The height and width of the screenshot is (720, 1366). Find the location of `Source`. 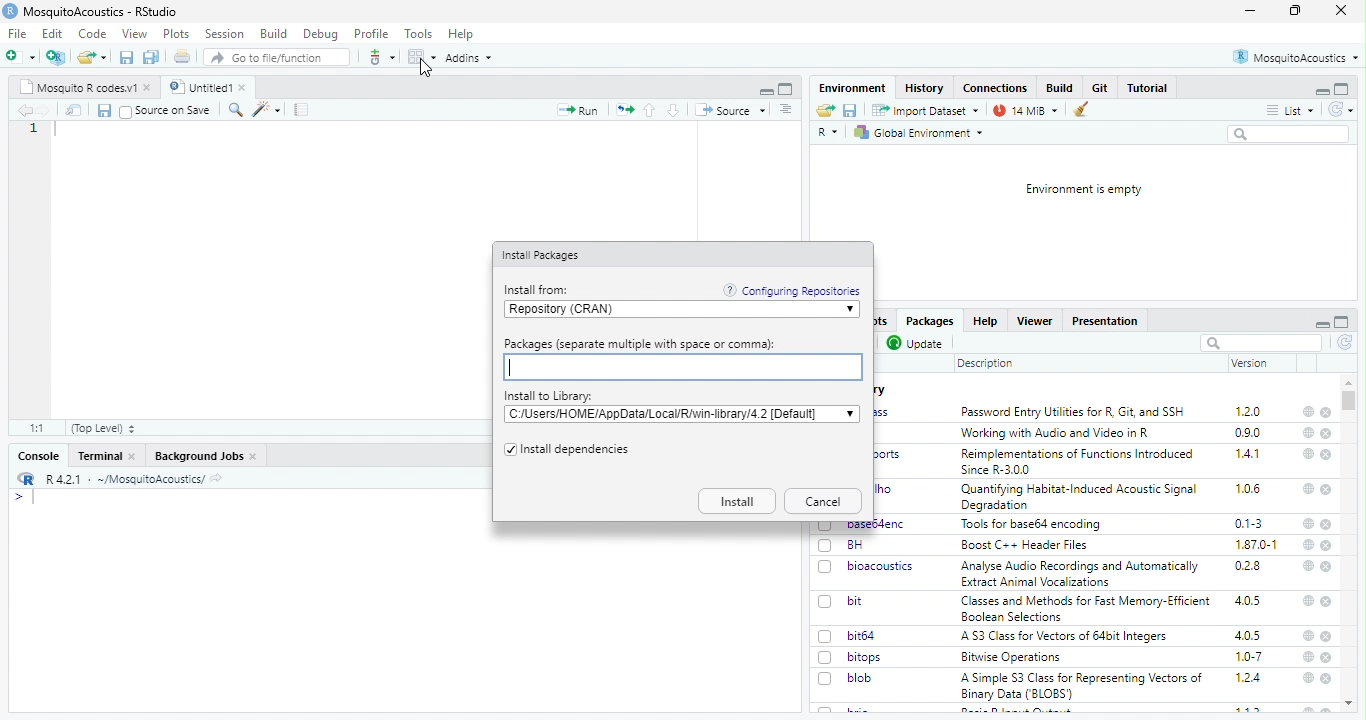

Source is located at coordinates (731, 111).